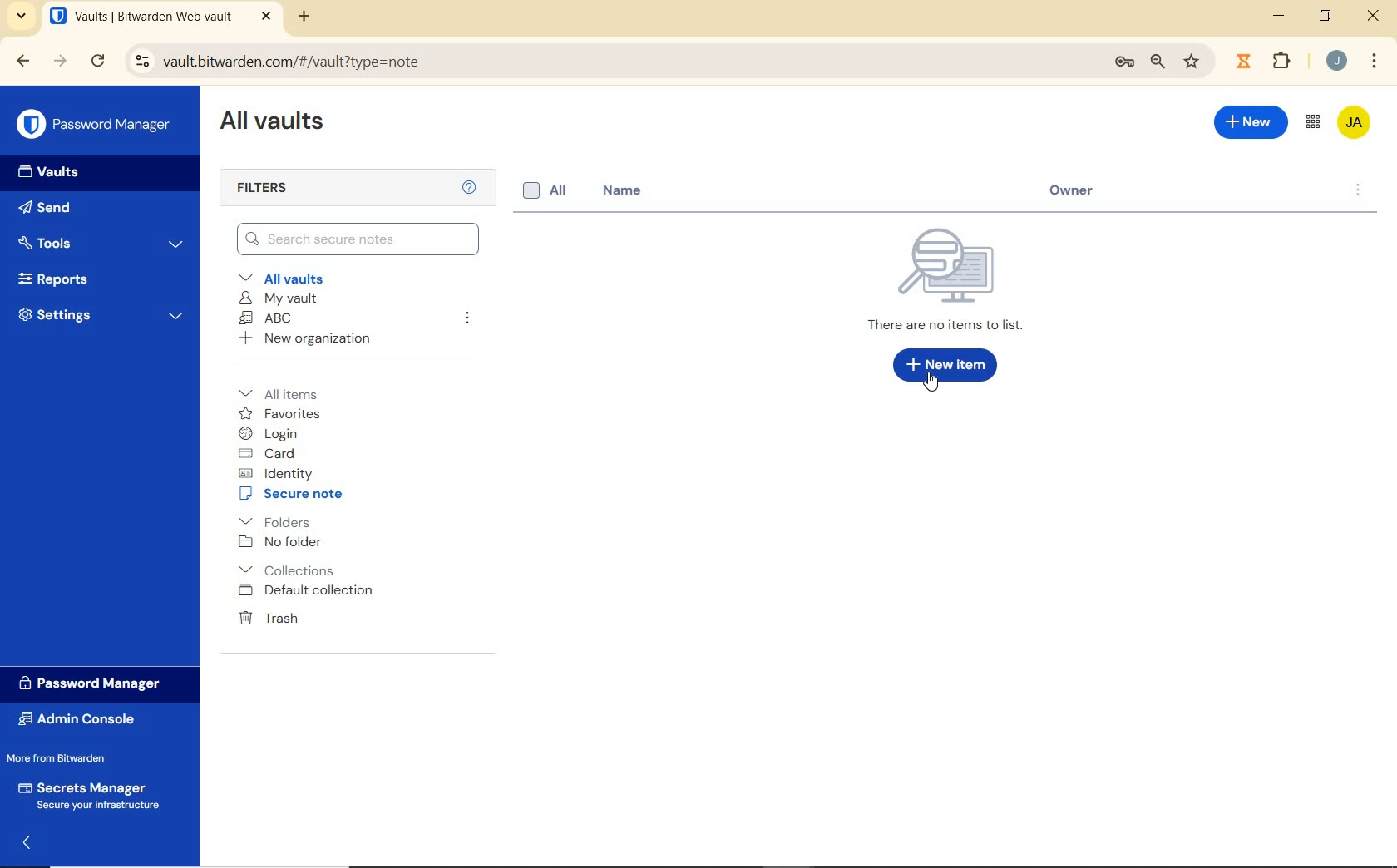 The width and height of the screenshot is (1397, 868). Describe the element at coordinates (160, 16) in the screenshot. I see `open tab` at that location.